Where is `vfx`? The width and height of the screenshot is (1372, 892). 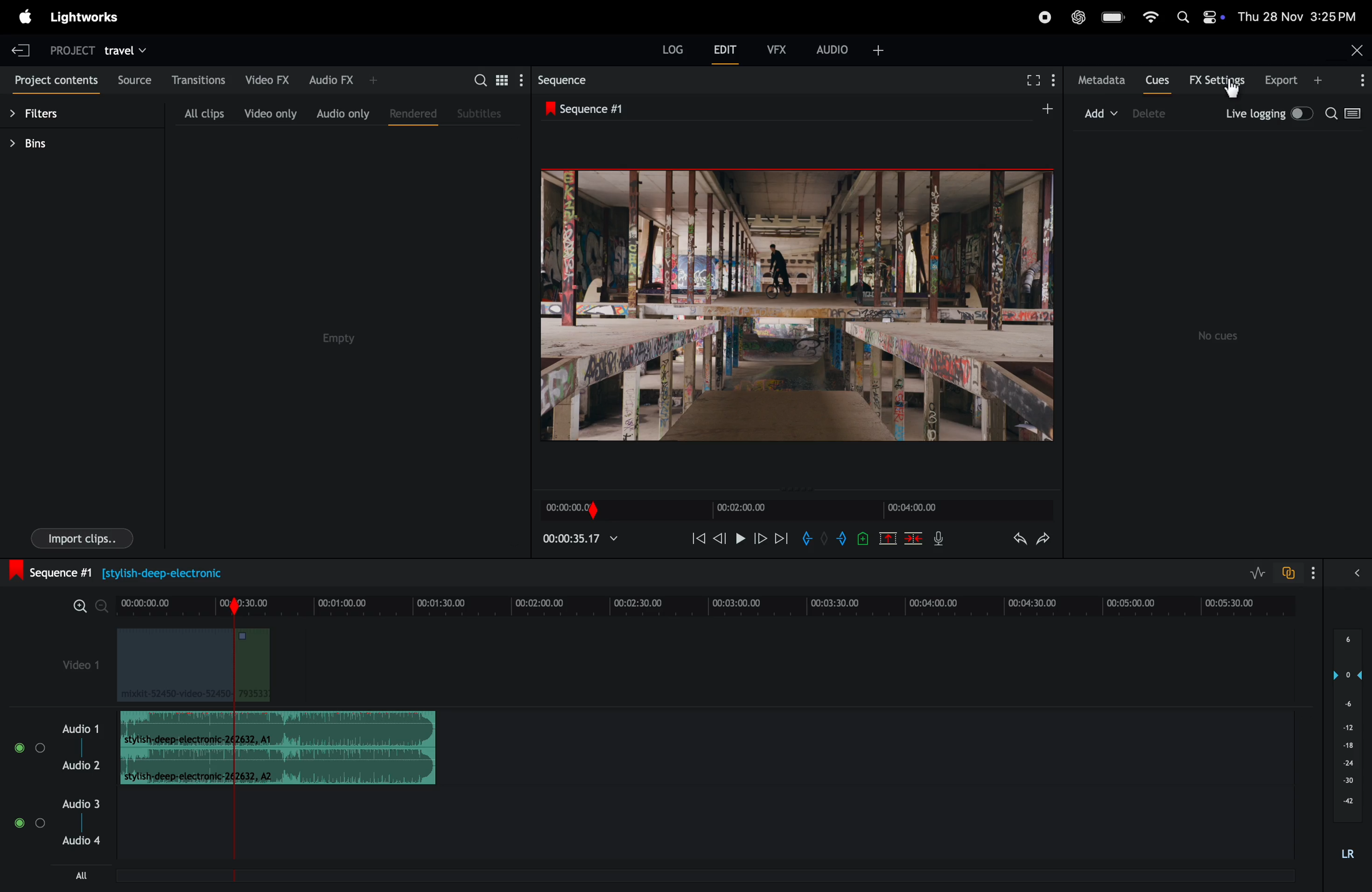
vfx is located at coordinates (777, 48).